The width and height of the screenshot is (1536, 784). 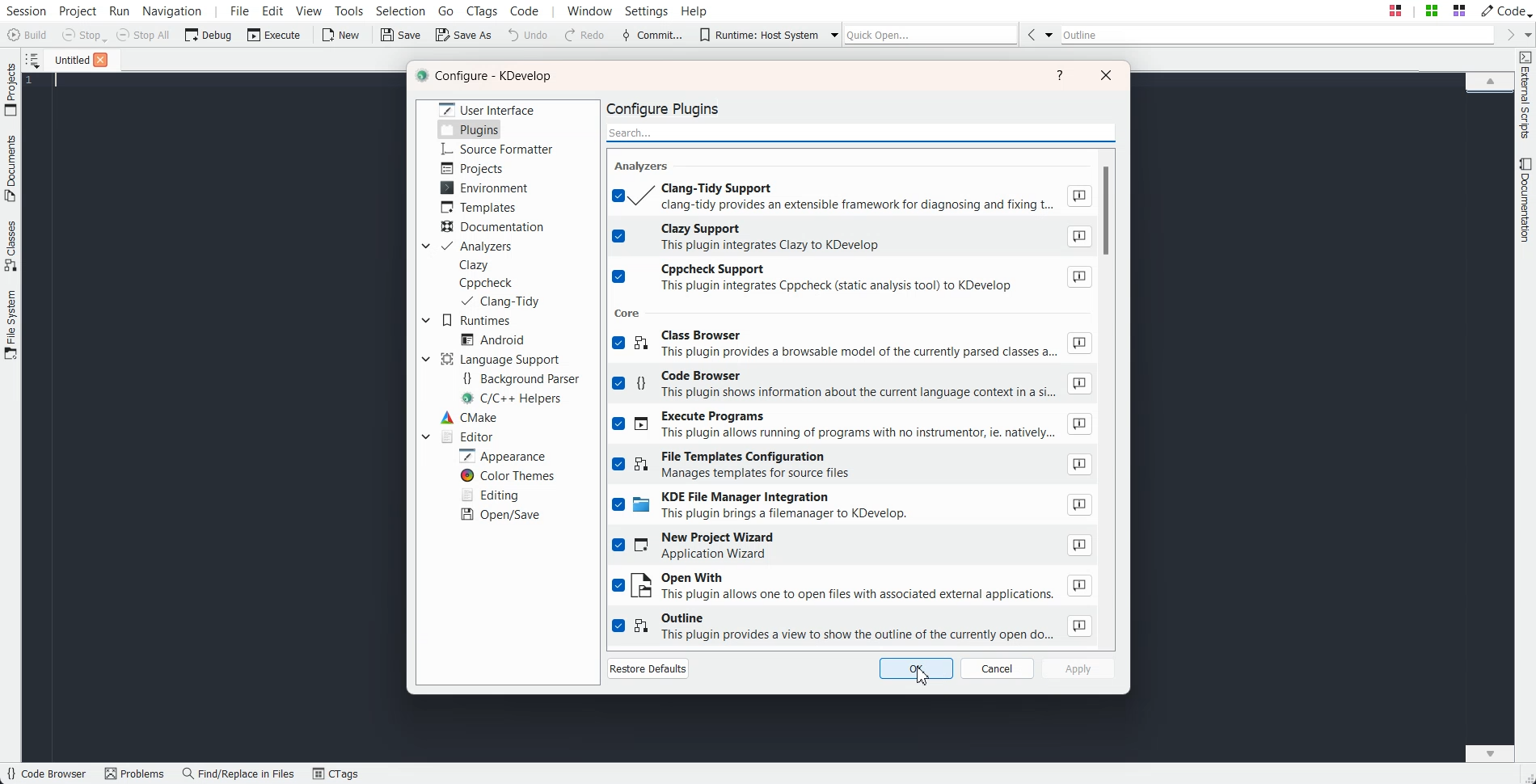 I want to click on Build, so click(x=29, y=36).